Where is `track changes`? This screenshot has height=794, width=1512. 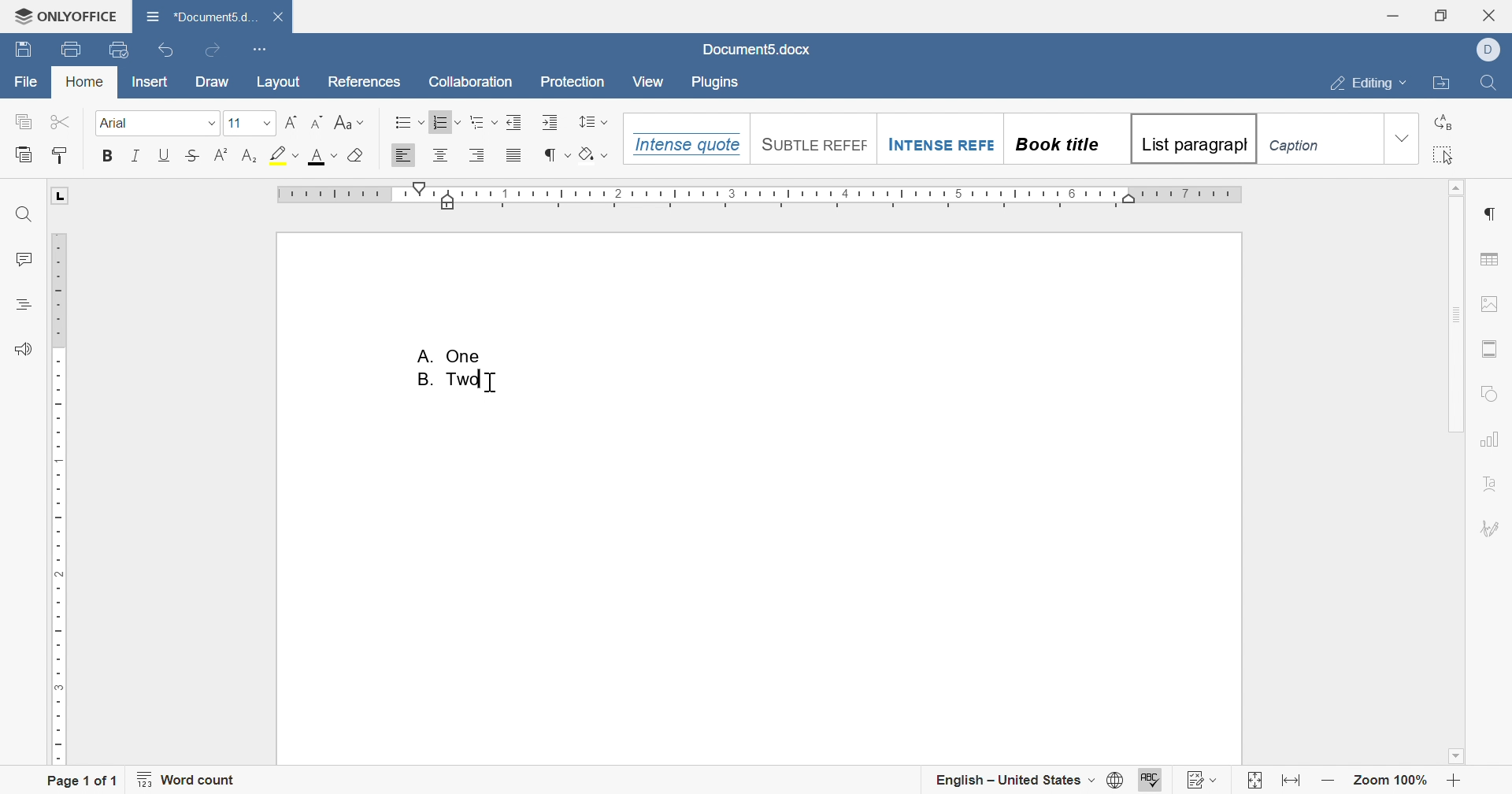 track changes is located at coordinates (1201, 780).